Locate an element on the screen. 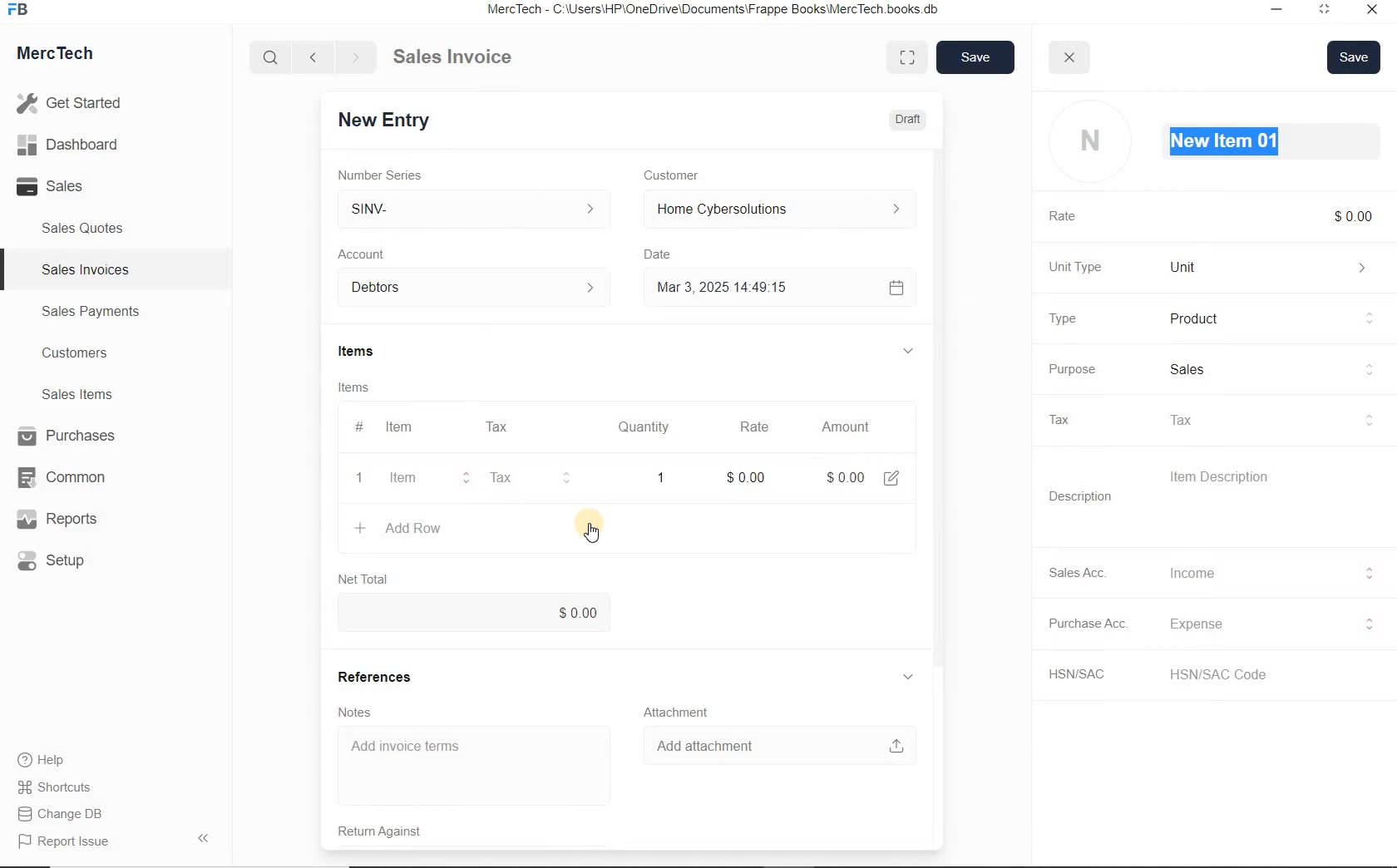 The width and height of the screenshot is (1397, 868). Add attachment is located at coordinates (770, 745).